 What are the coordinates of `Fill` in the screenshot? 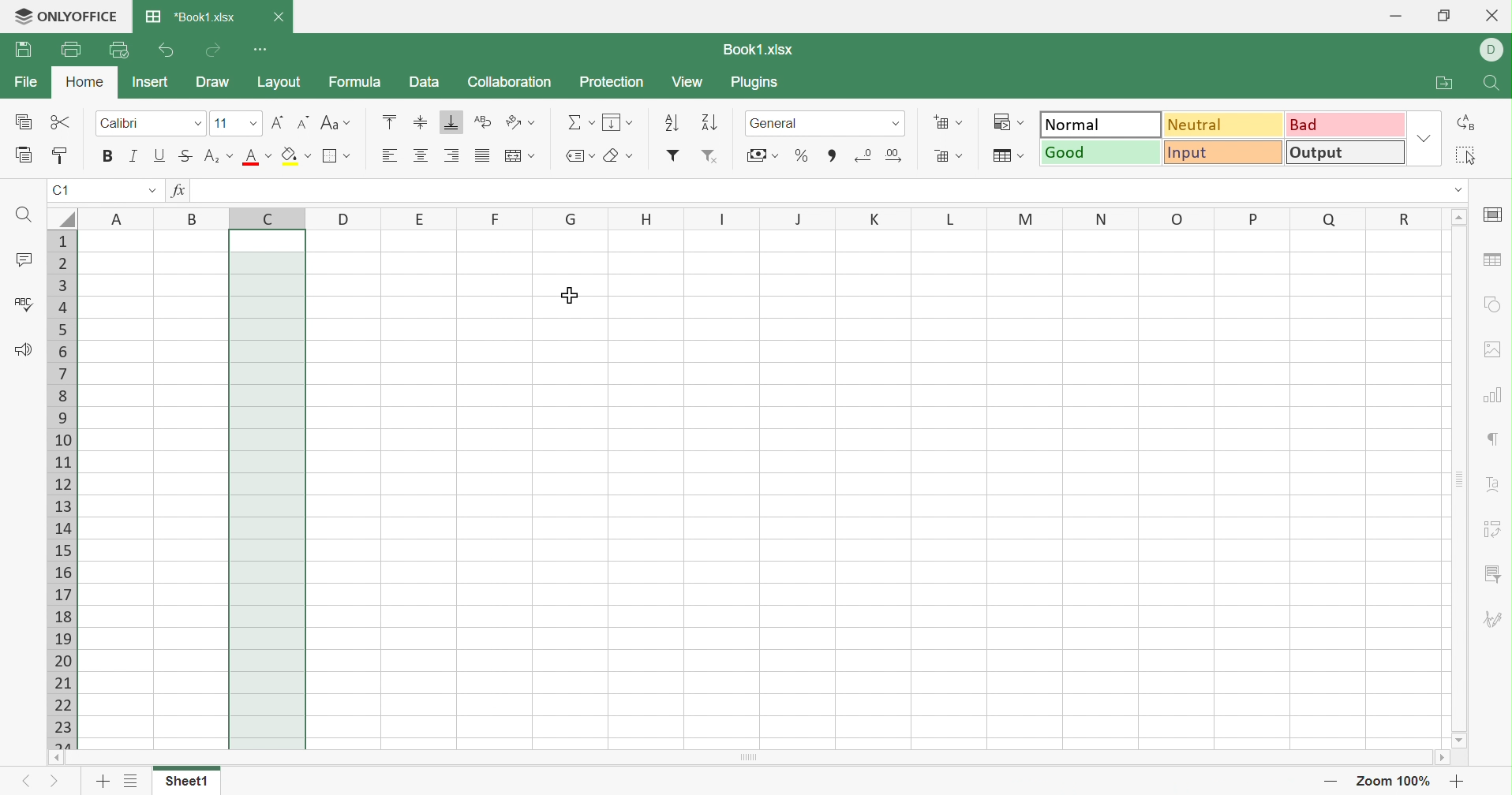 It's located at (613, 121).